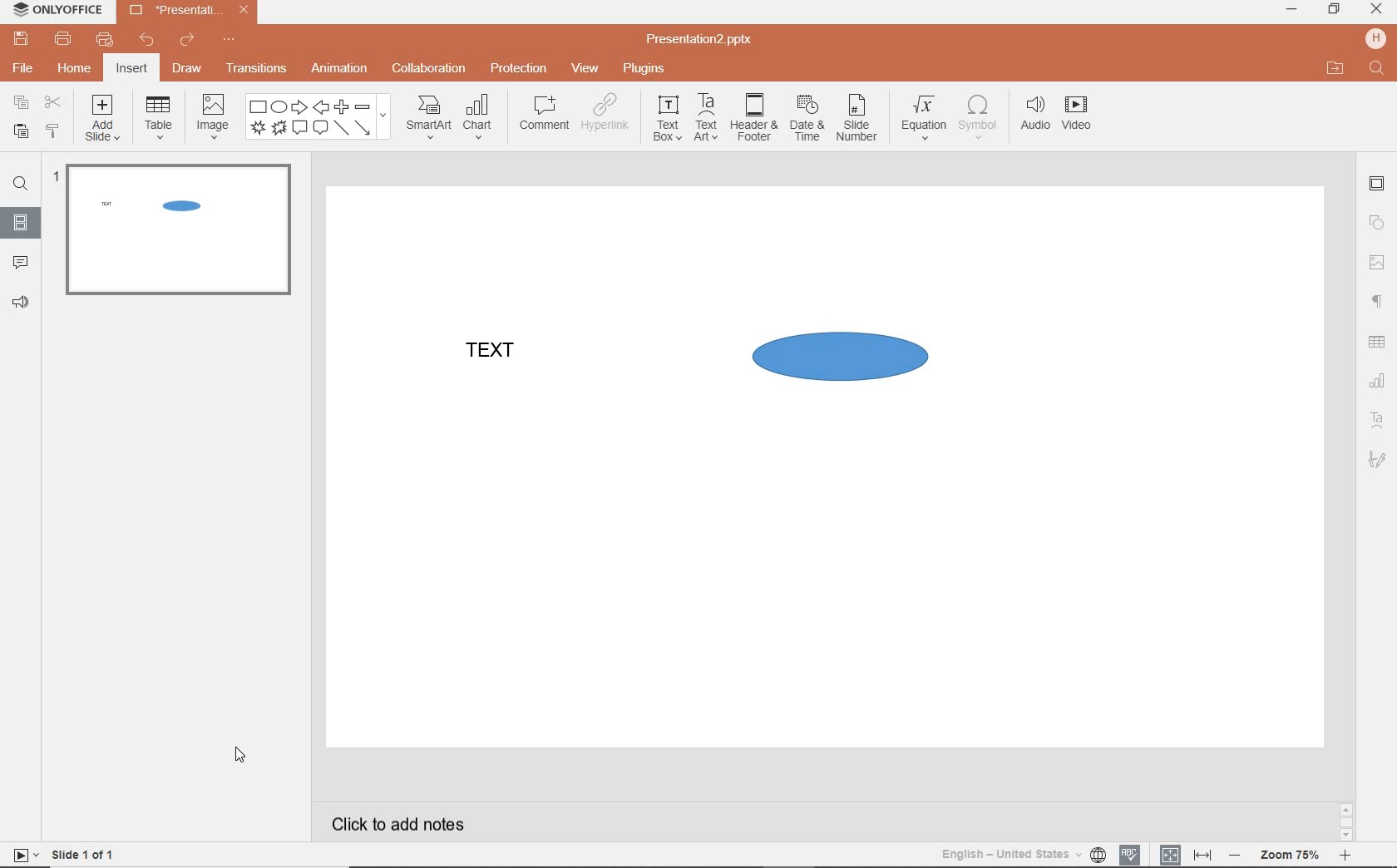 This screenshot has width=1397, height=868. Describe the element at coordinates (228, 40) in the screenshot. I see `customize quick access toolbar` at that location.